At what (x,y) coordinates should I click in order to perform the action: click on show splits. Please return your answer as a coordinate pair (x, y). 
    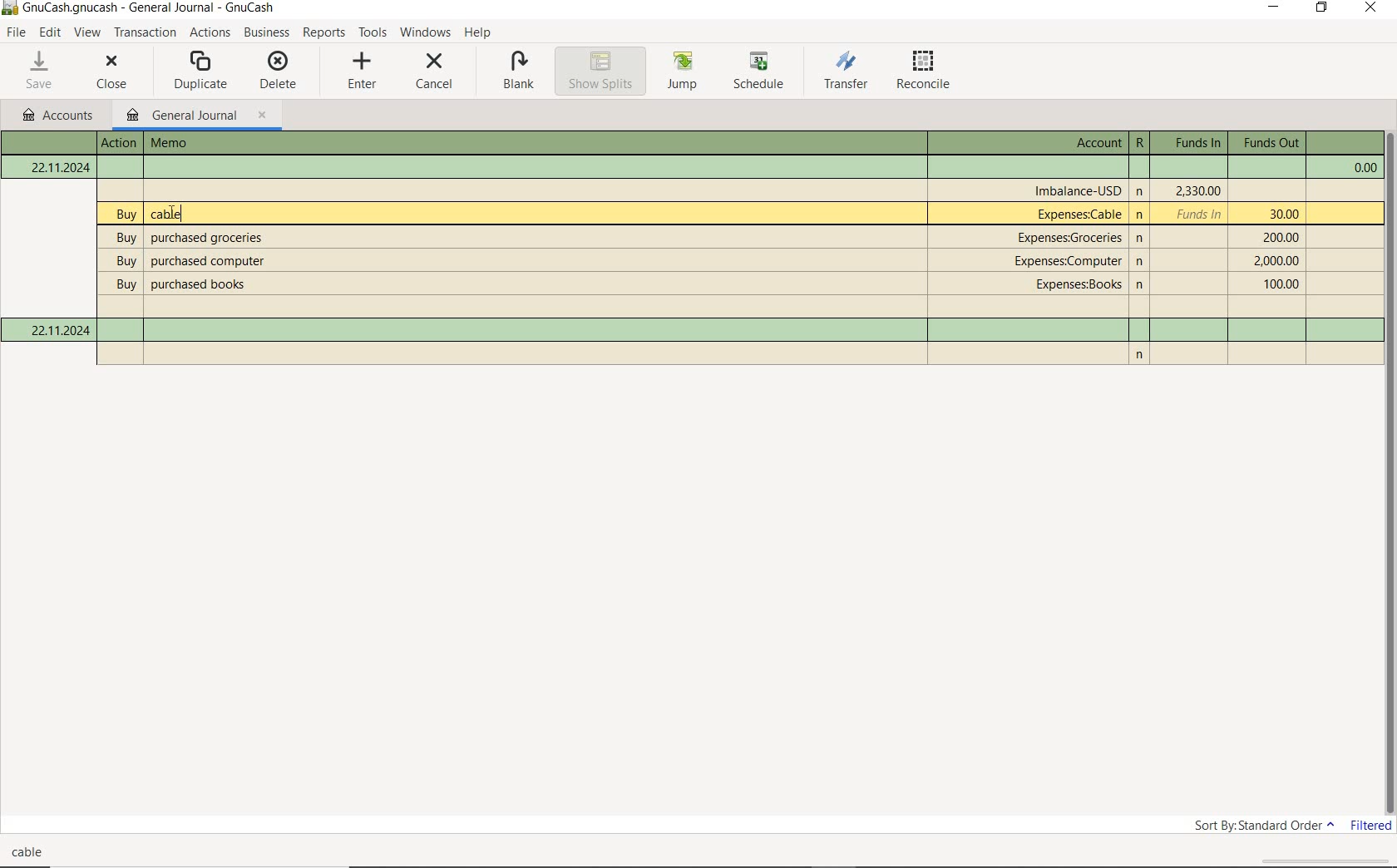
    Looking at the image, I should click on (600, 71).